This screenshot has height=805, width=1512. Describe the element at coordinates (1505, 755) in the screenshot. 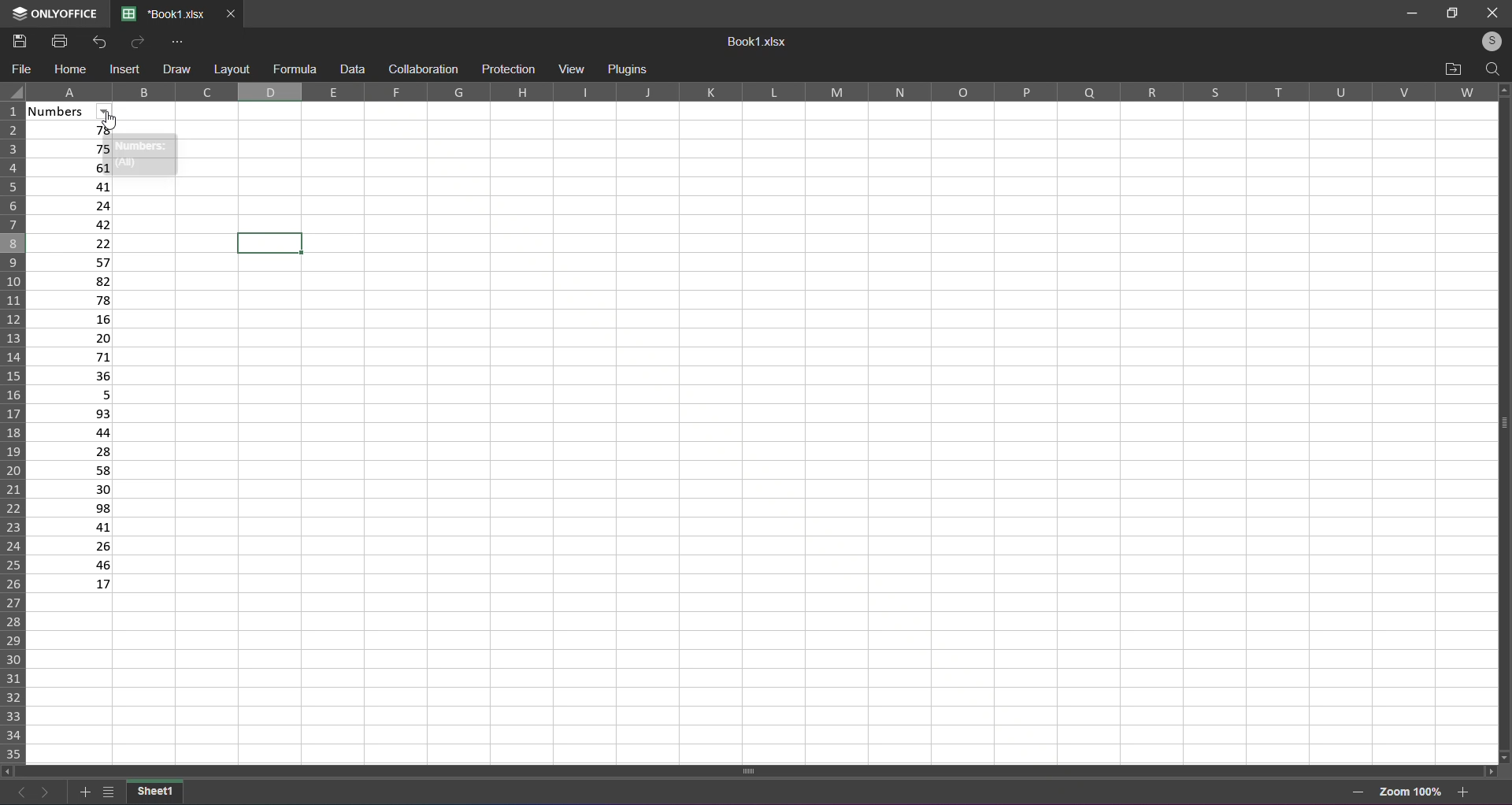

I see `Move down` at that location.